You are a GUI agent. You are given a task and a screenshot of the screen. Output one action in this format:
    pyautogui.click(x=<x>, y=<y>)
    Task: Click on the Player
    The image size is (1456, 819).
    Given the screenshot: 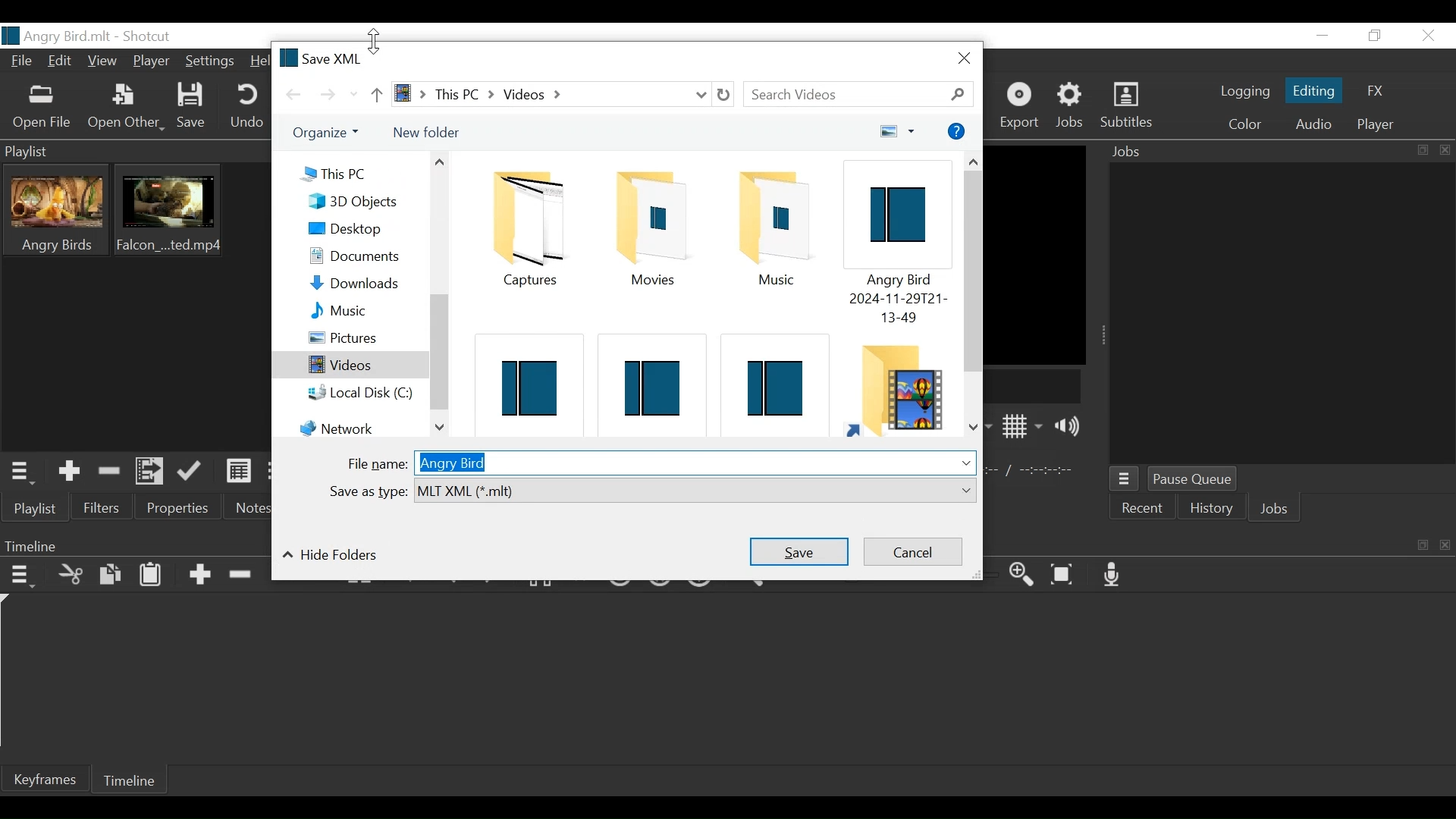 What is the action you would take?
    pyautogui.click(x=149, y=63)
    